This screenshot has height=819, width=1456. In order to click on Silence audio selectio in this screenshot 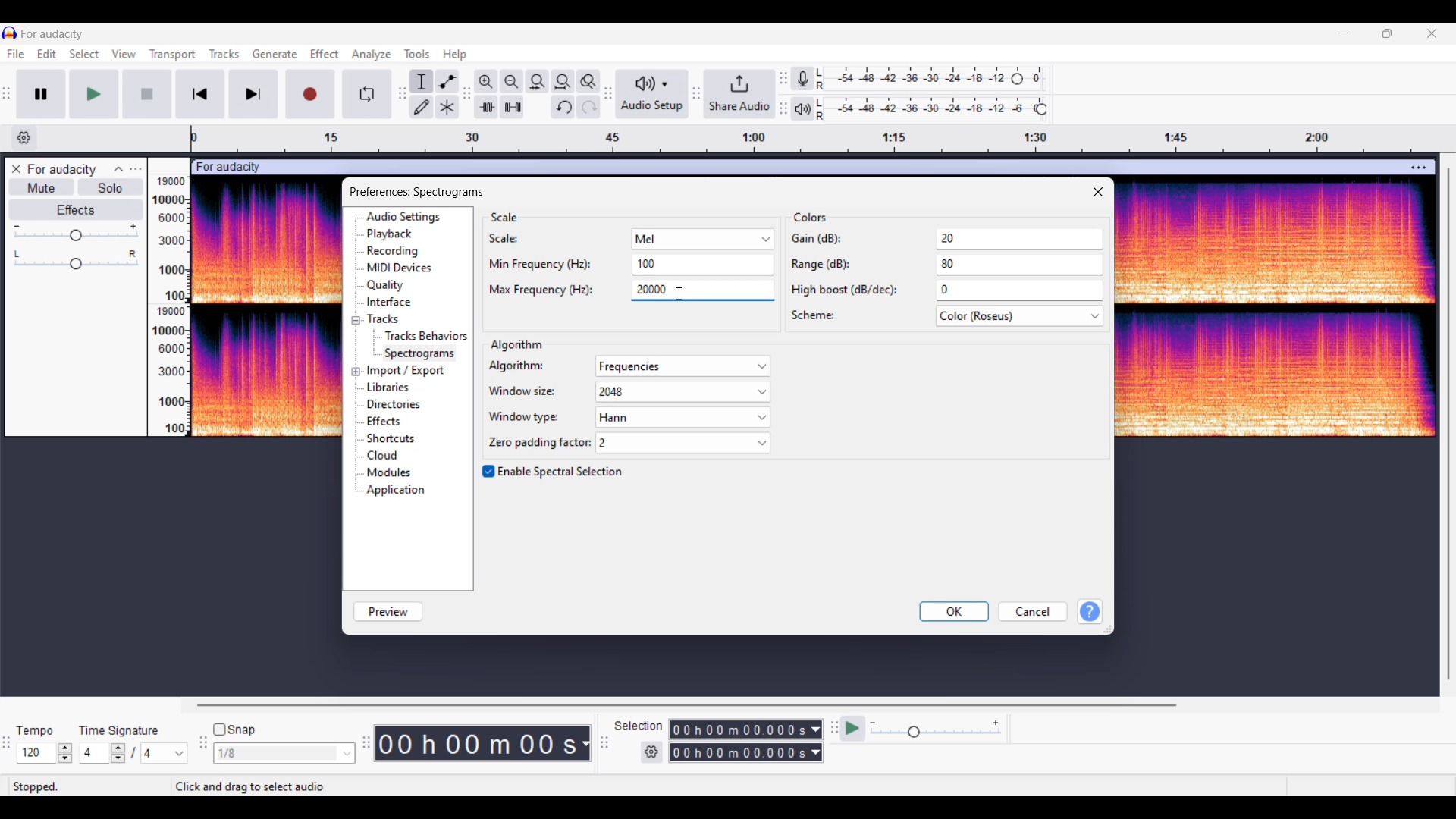, I will do `click(513, 106)`.